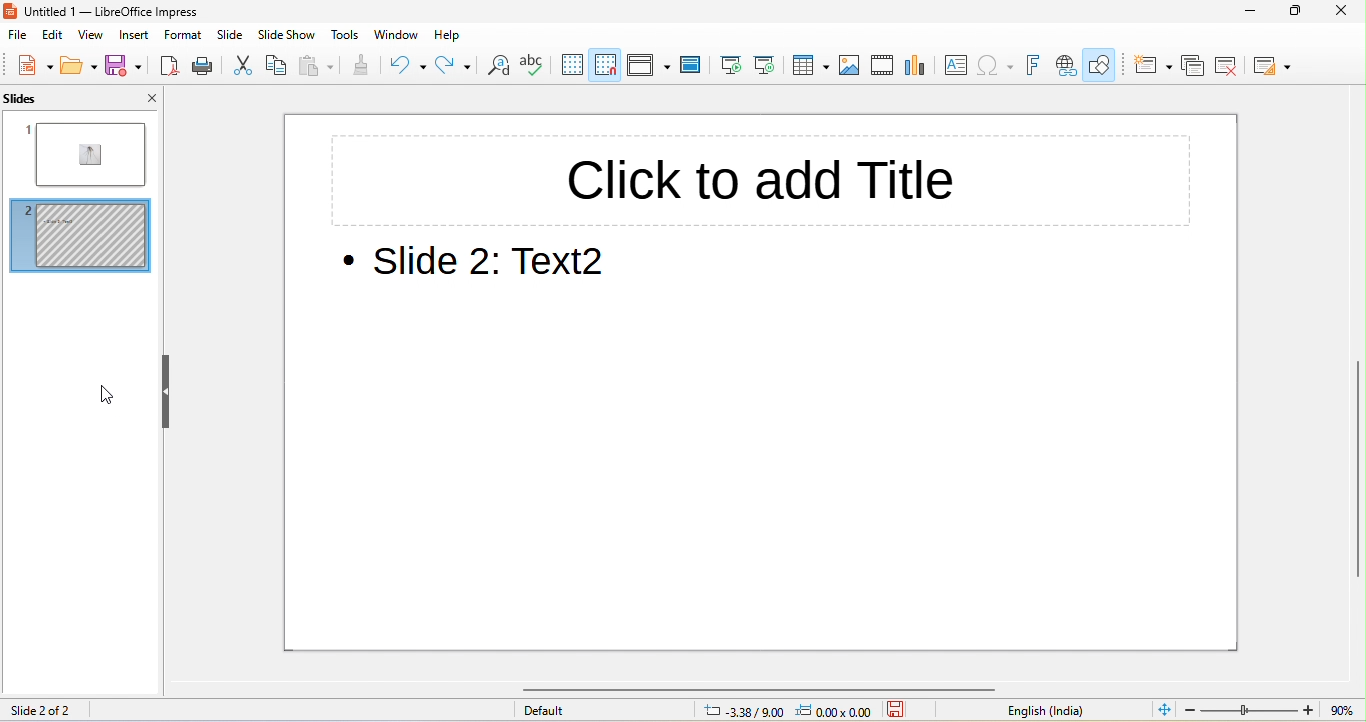  What do you see at coordinates (97, 38) in the screenshot?
I see `view` at bounding box center [97, 38].